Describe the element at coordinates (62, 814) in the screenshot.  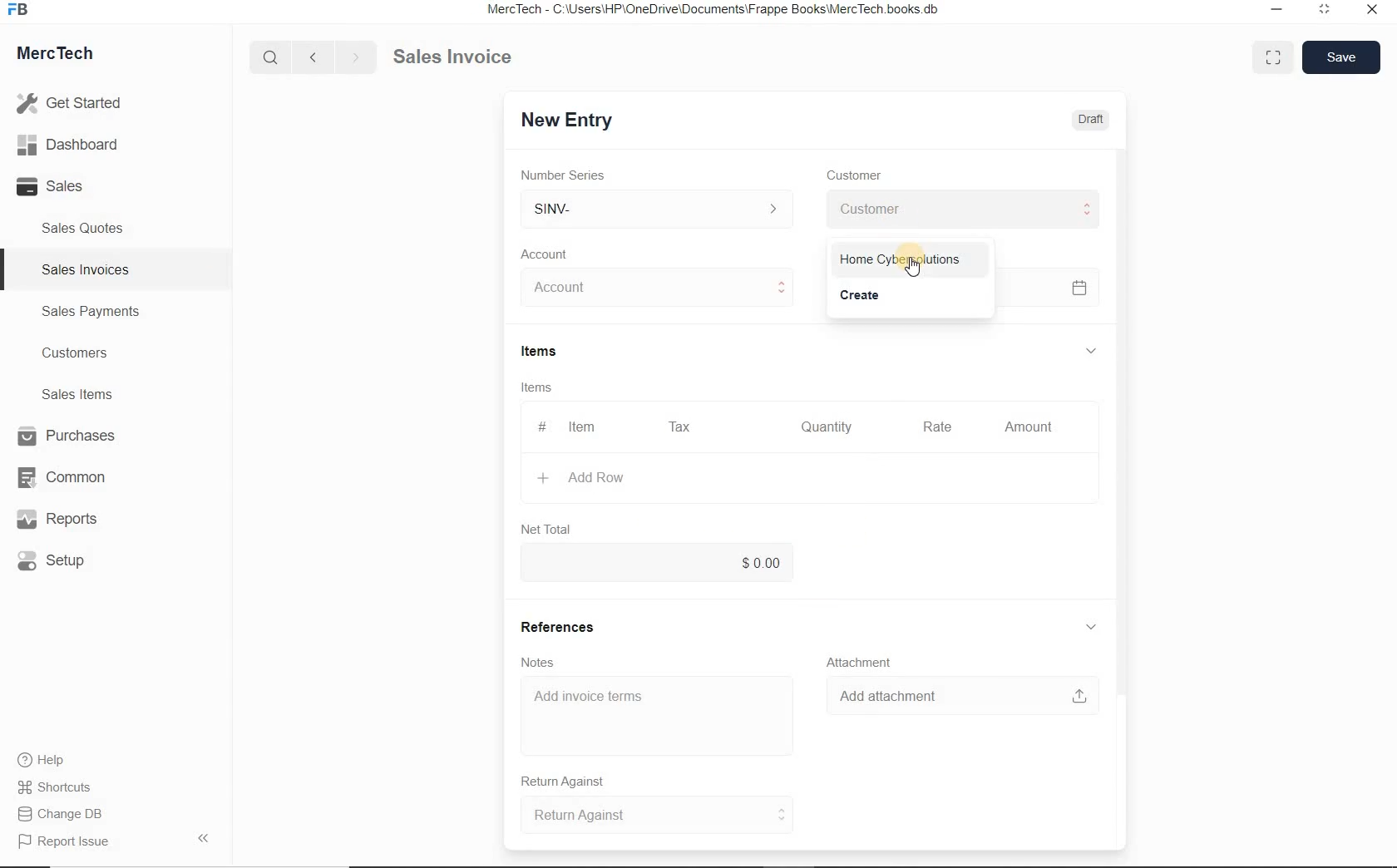
I see `Change DB` at that location.